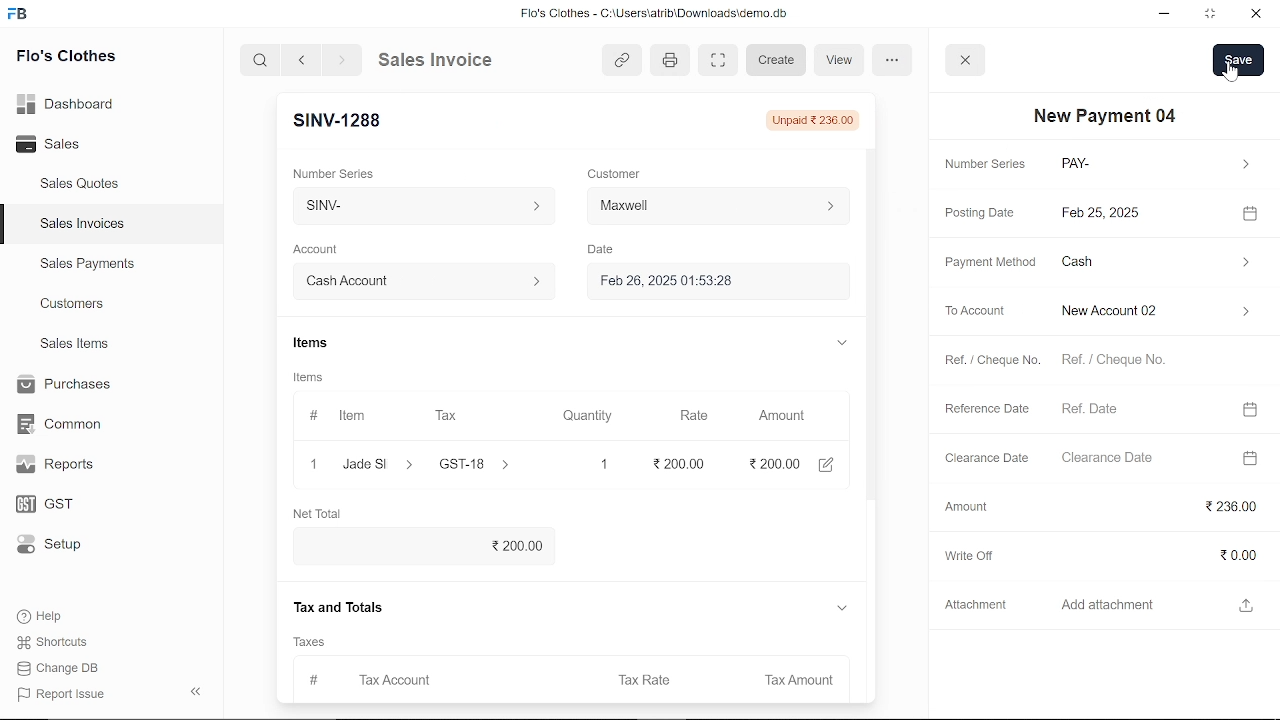 The image size is (1280, 720). I want to click on Quantity, so click(585, 416).